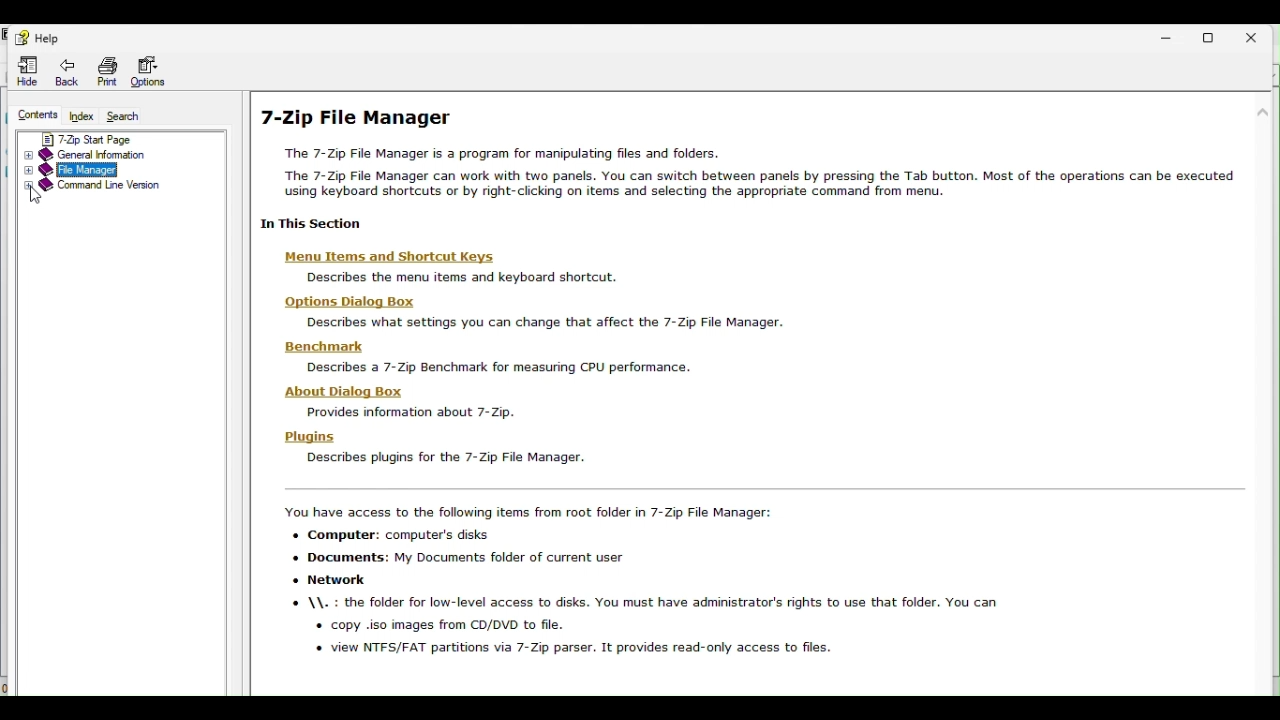 This screenshot has height=720, width=1280. Describe the element at coordinates (501, 367) in the screenshot. I see `describes a 7-Zip Benchmark for measuring CPU performance.` at that location.